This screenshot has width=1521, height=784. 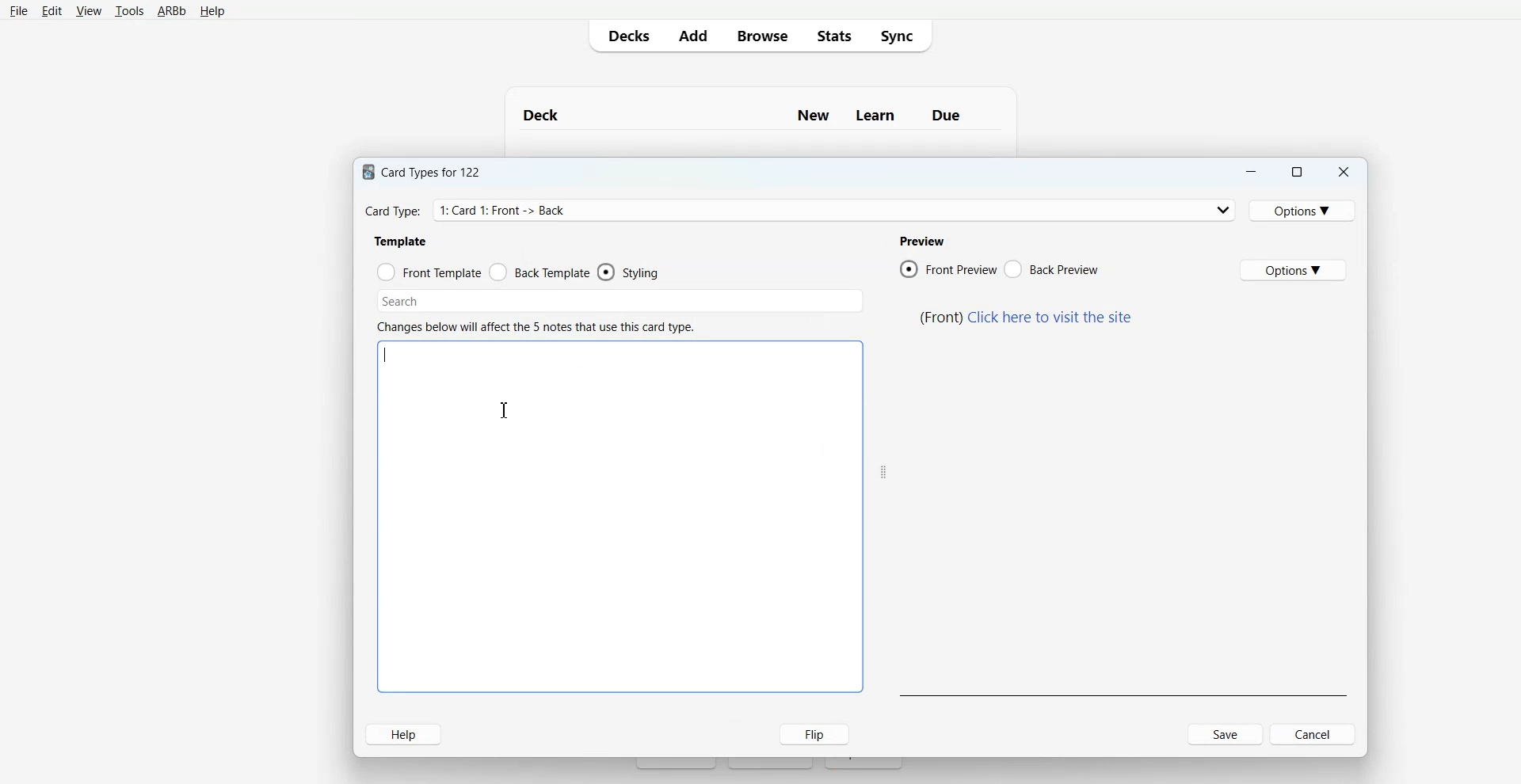 I want to click on Card Type, so click(x=797, y=211).